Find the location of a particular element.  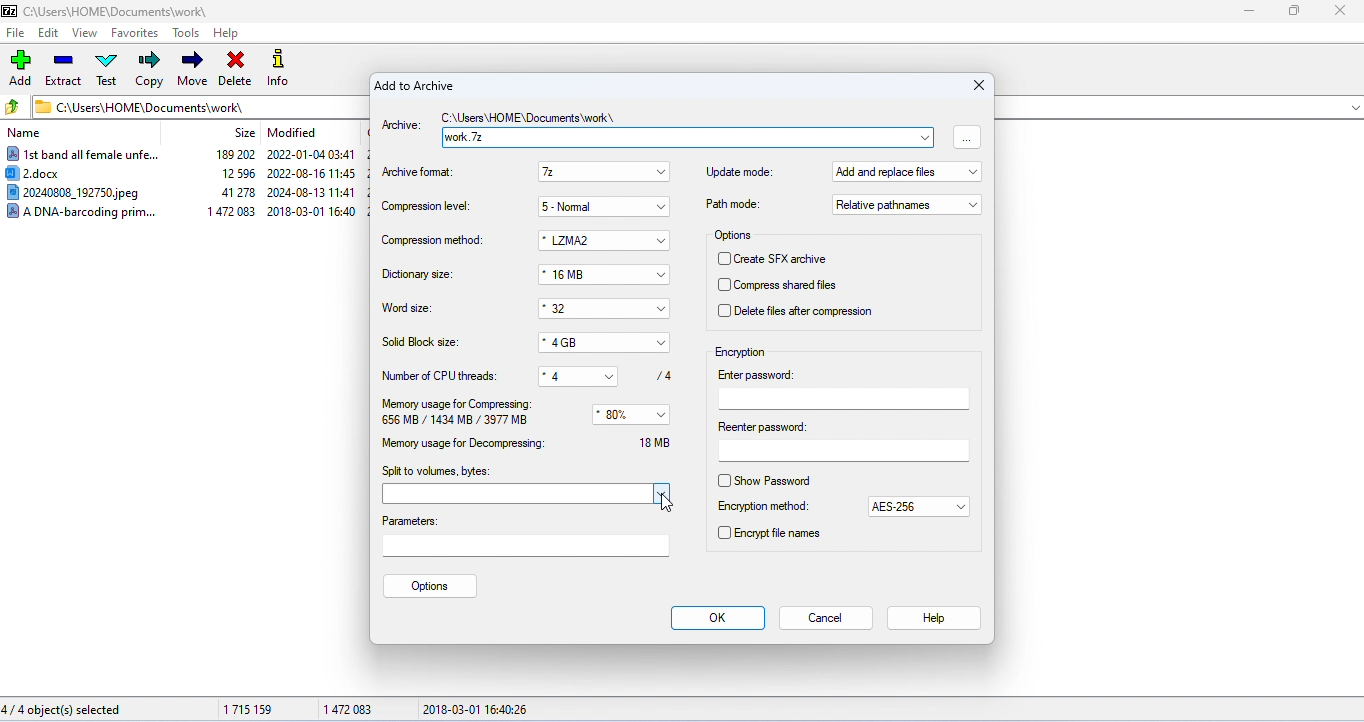

* 32 is located at coordinates (589, 309).